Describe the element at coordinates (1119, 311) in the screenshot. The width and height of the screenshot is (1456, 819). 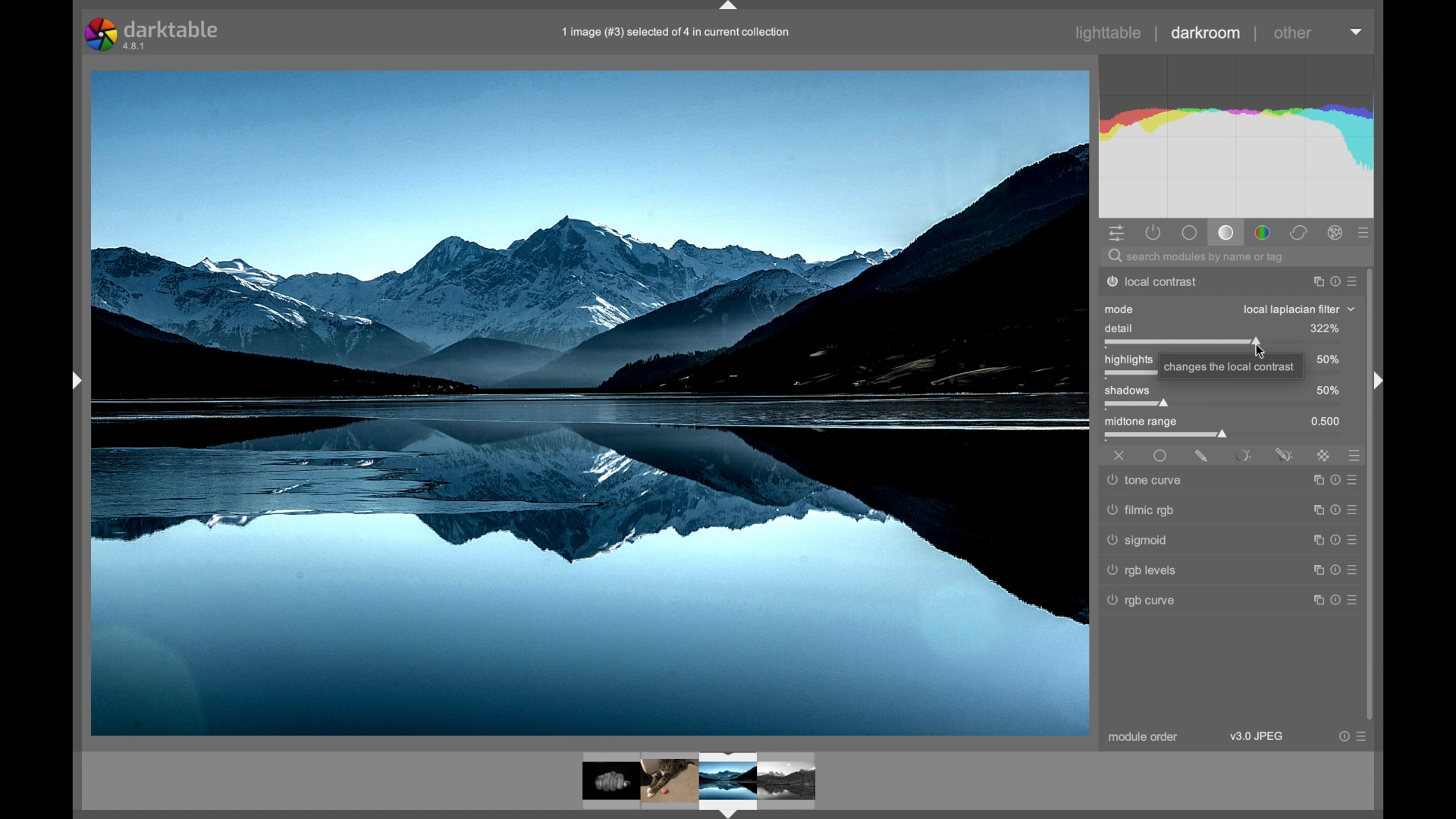
I see `mode` at that location.